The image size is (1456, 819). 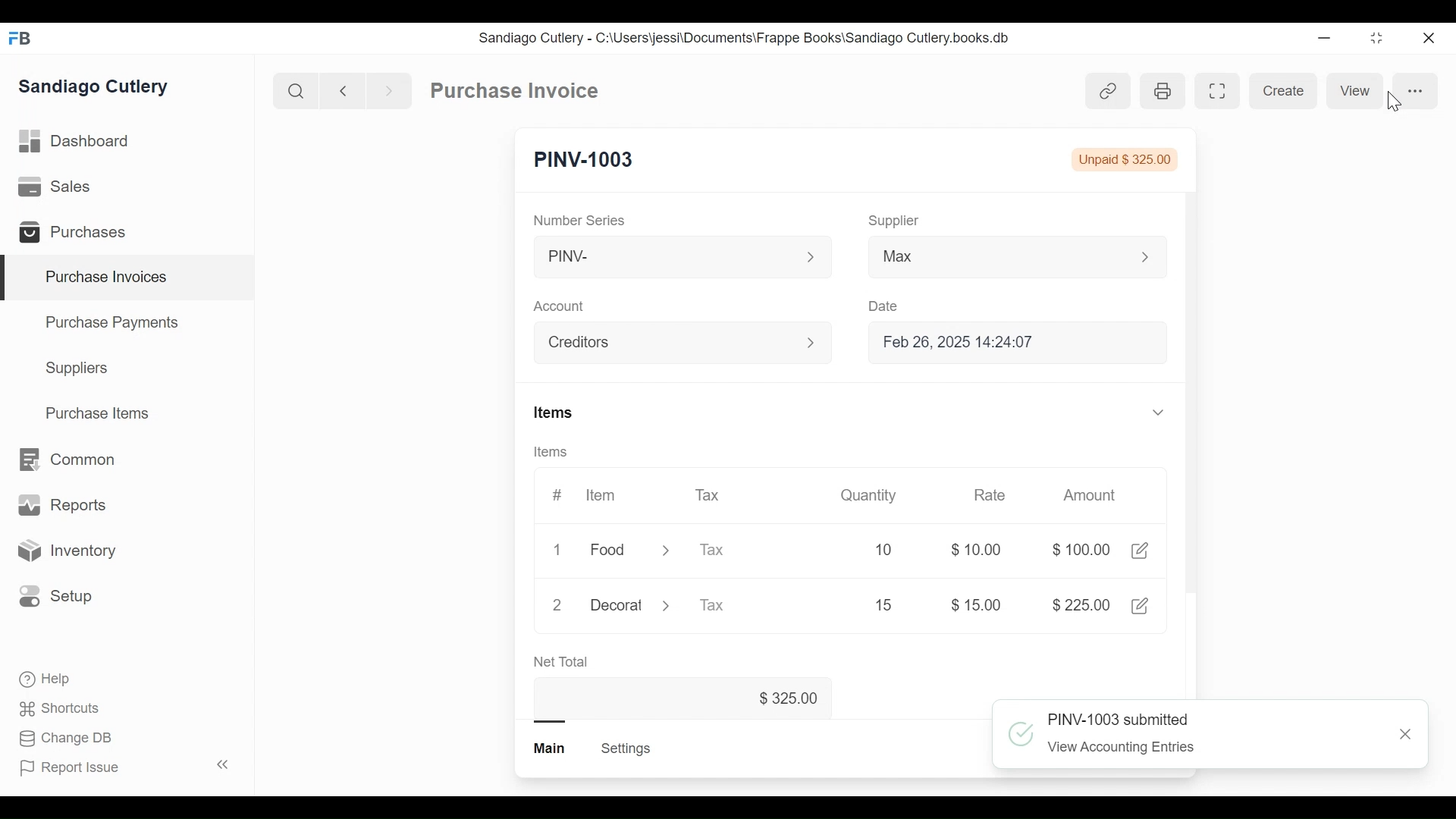 What do you see at coordinates (553, 413) in the screenshot?
I see `Items` at bounding box center [553, 413].